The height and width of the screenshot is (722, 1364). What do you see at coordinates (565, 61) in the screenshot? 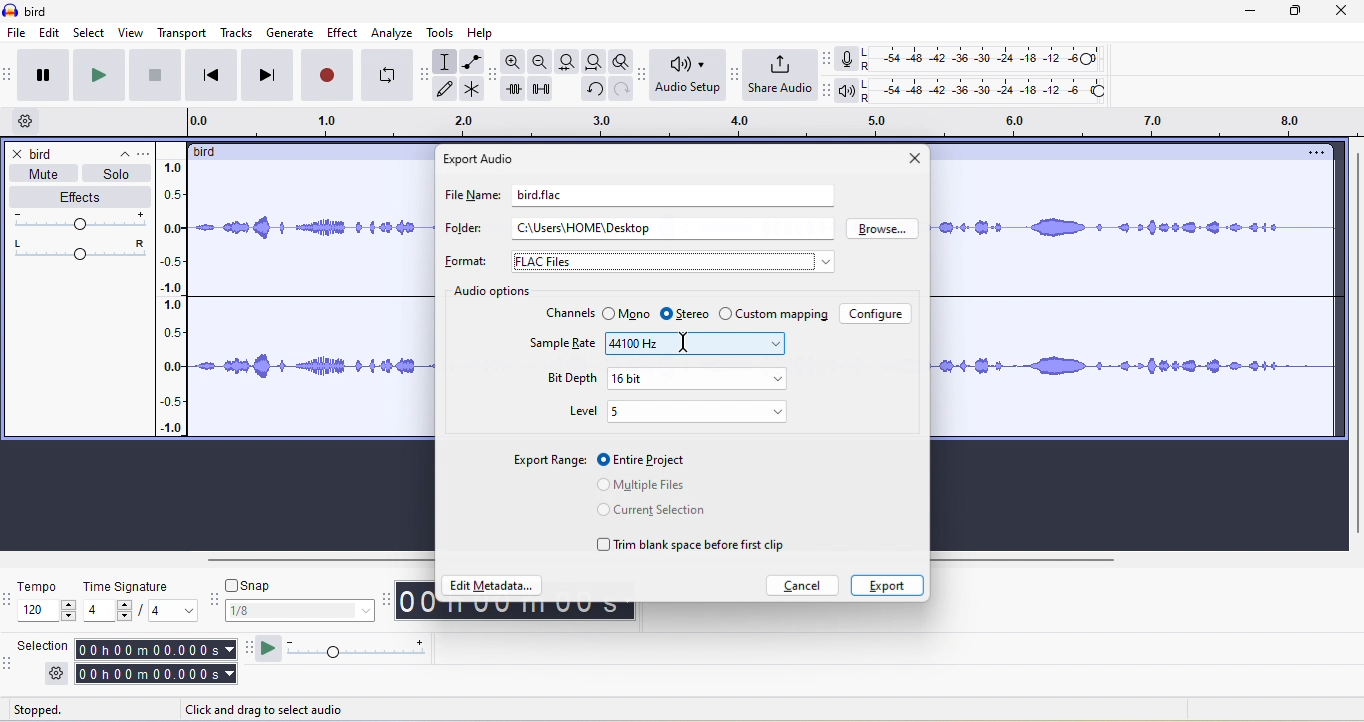
I see `fit selection to width` at bounding box center [565, 61].